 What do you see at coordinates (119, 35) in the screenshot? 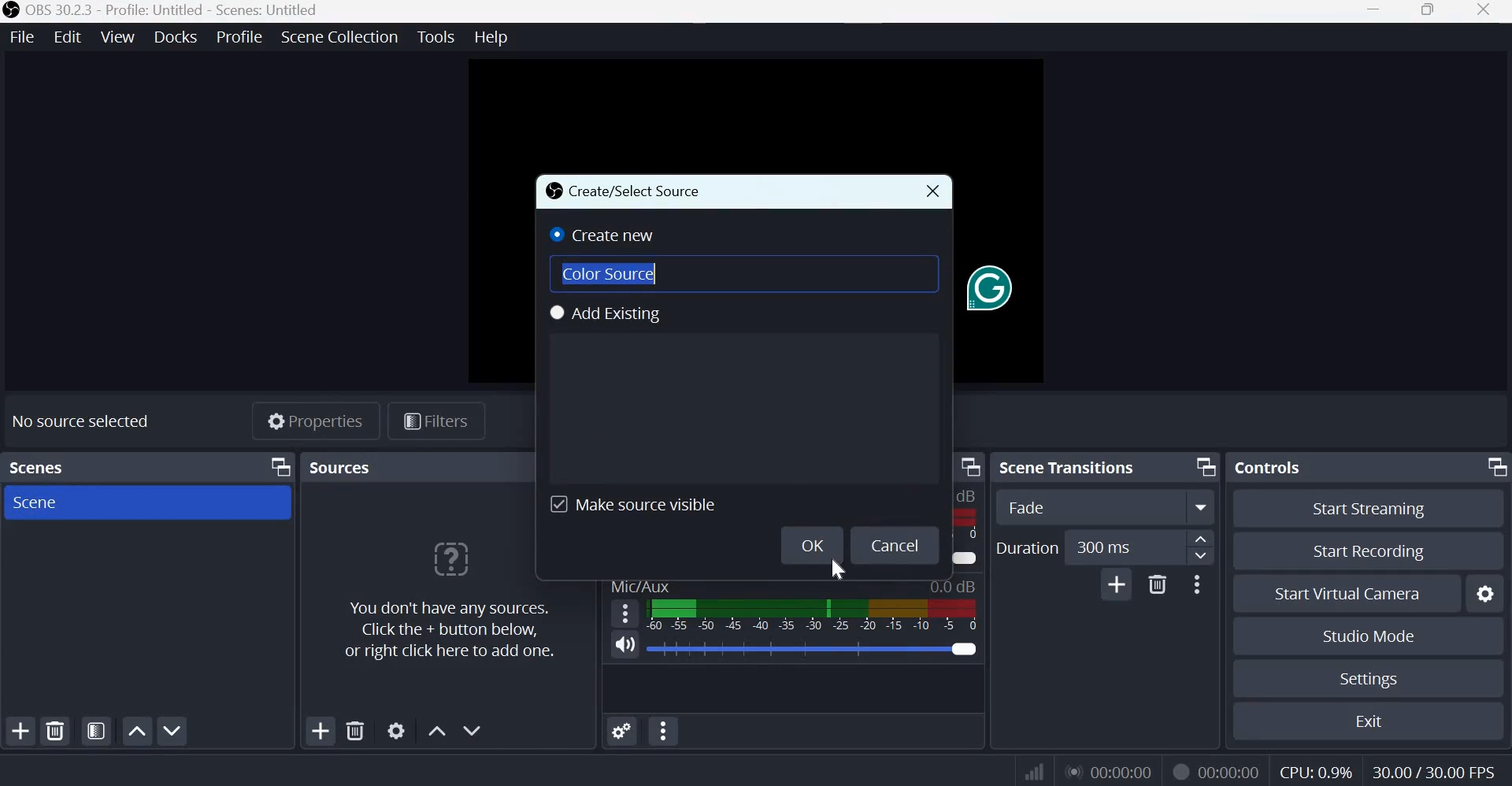
I see `View` at bounding box center [119, 35].